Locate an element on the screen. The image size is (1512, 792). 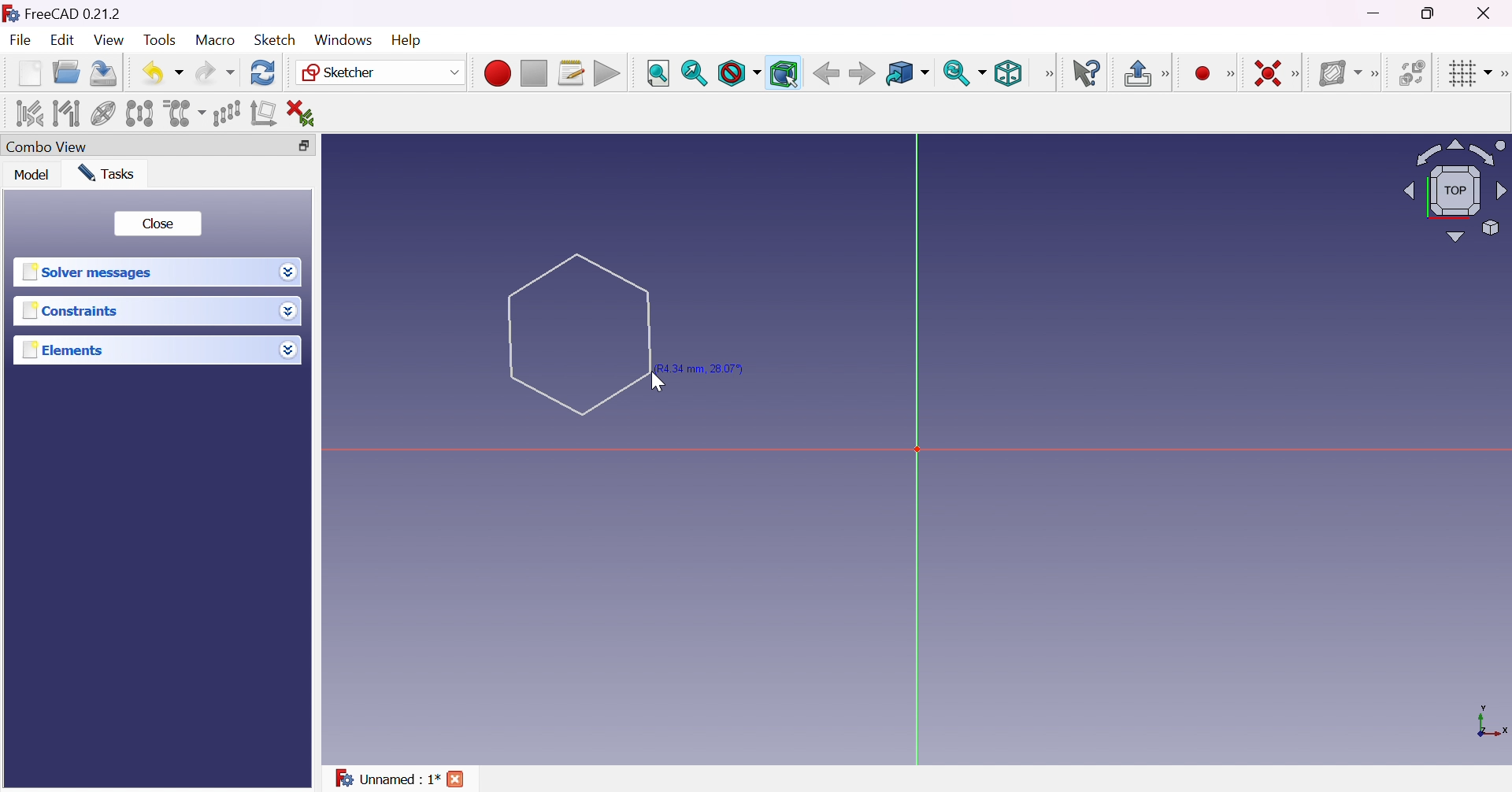
windows is located at coordinates (343, 40).